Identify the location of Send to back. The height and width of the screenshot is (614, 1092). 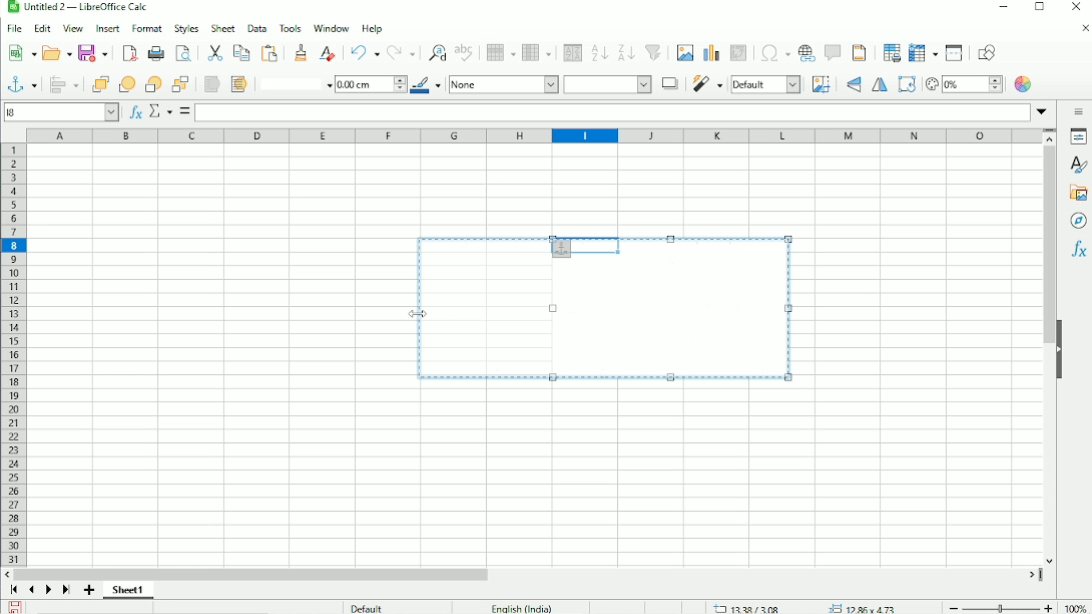
(181, 83).